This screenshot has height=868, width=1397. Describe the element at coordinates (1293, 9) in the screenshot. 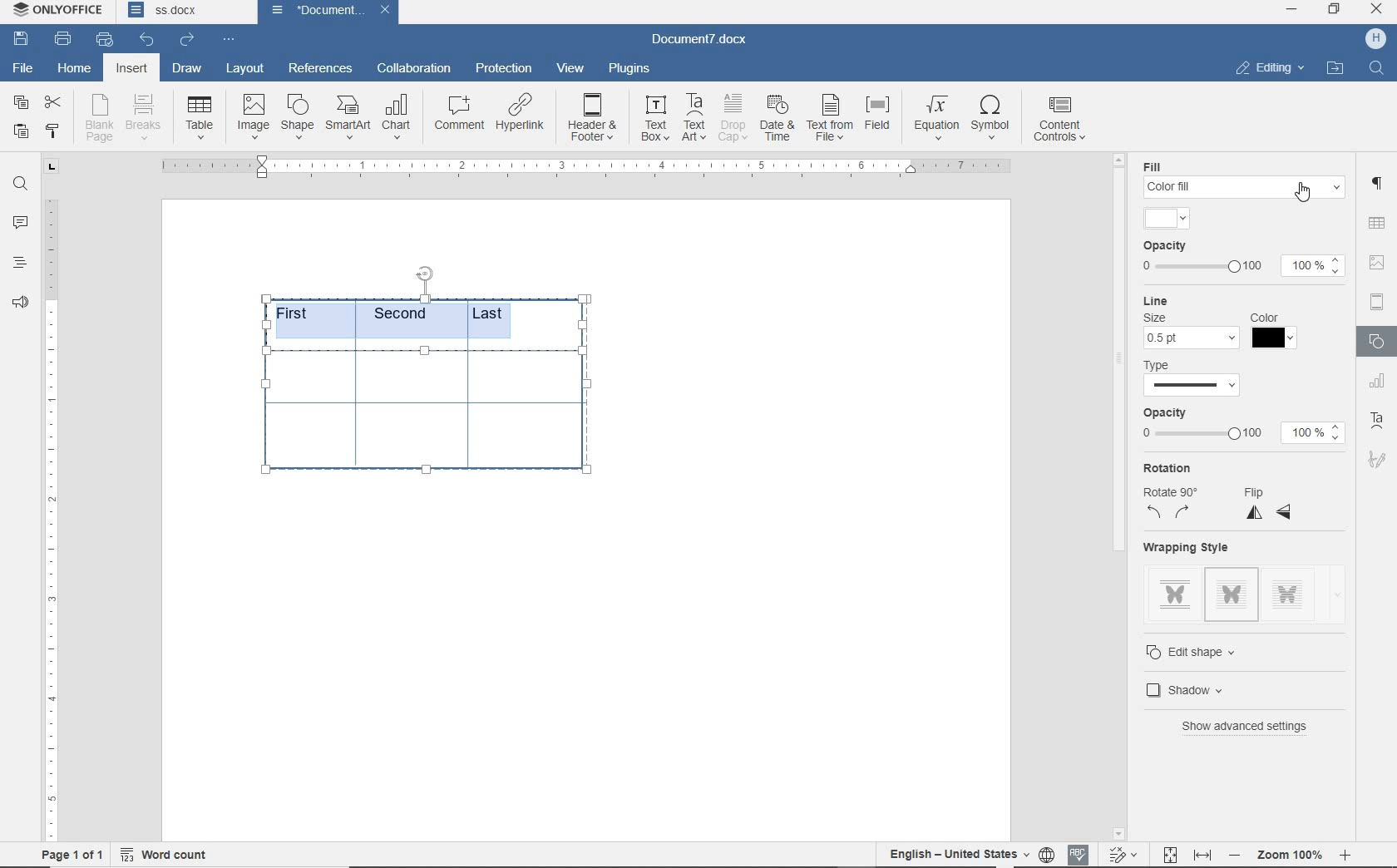

I see `MINIMIZE` at that location.